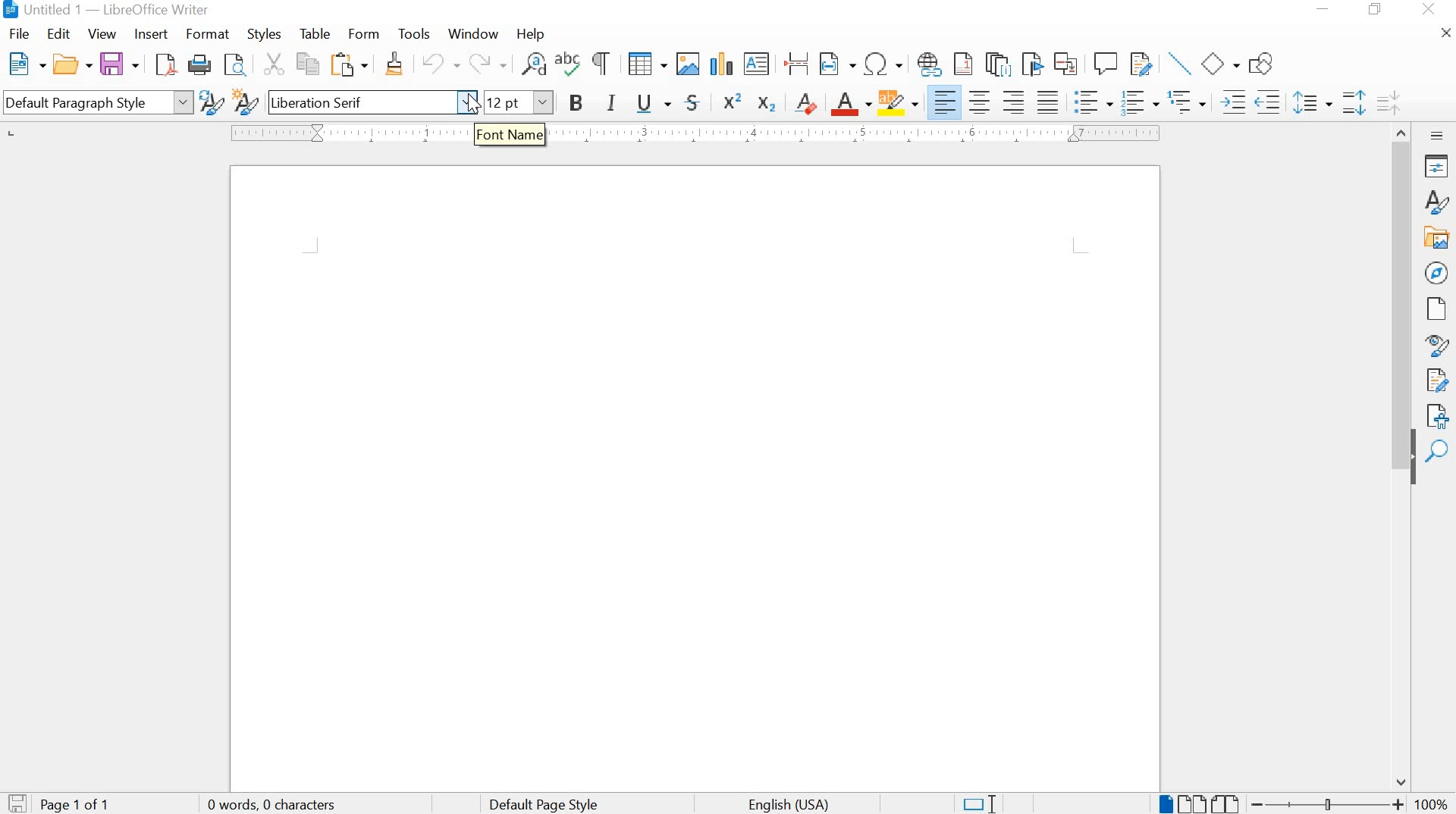  What do you see at coordinates (1438, 167) in the screenshot?
I see `PROPERTIES` at bounding box center [1438, 167].